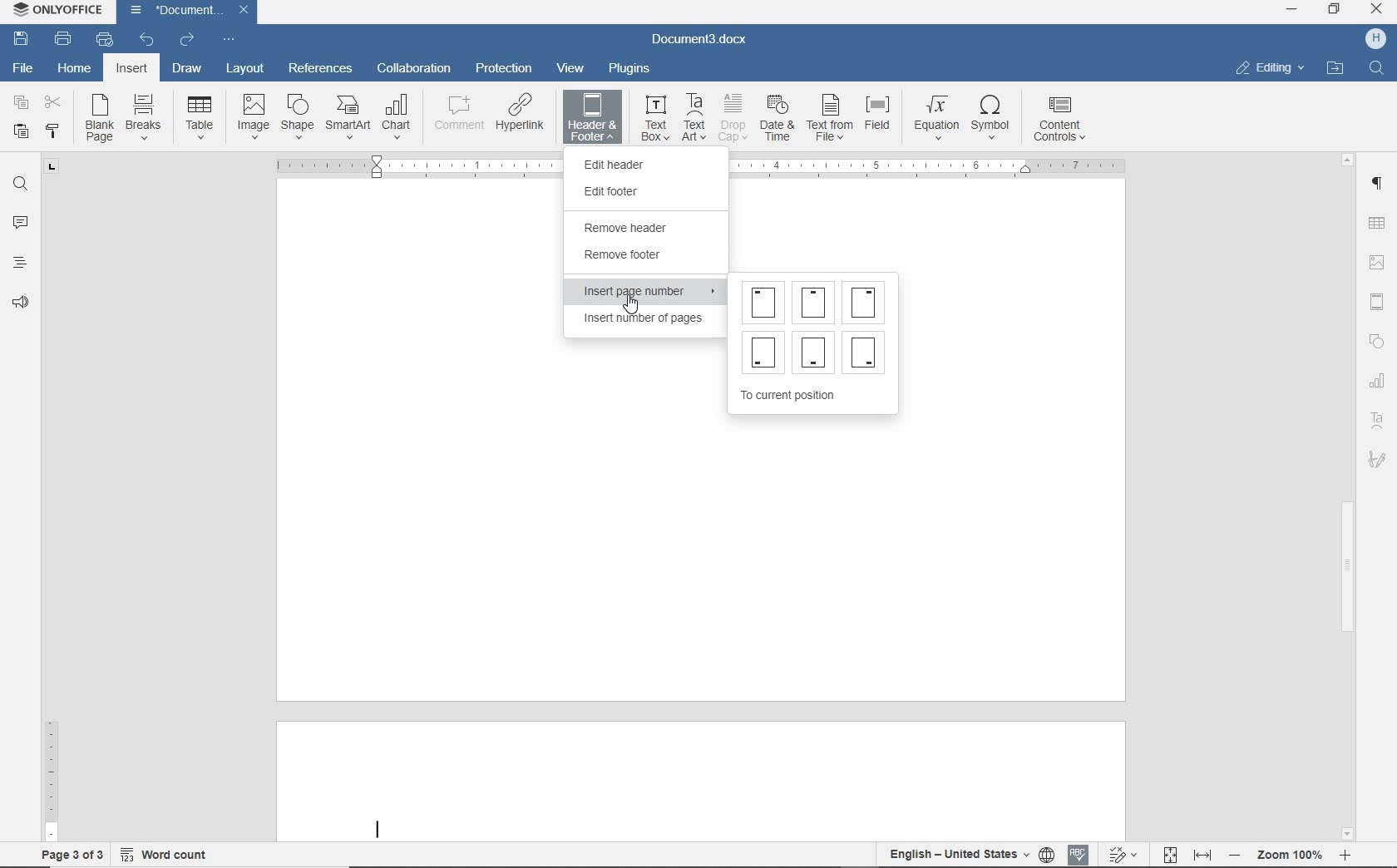 The width and height of the screenshot is (1397, 868). What do you see at coordinates (233, 37) in the screenshot?
I see `Customize quick access toolbar` at bounding box center [233, 37].